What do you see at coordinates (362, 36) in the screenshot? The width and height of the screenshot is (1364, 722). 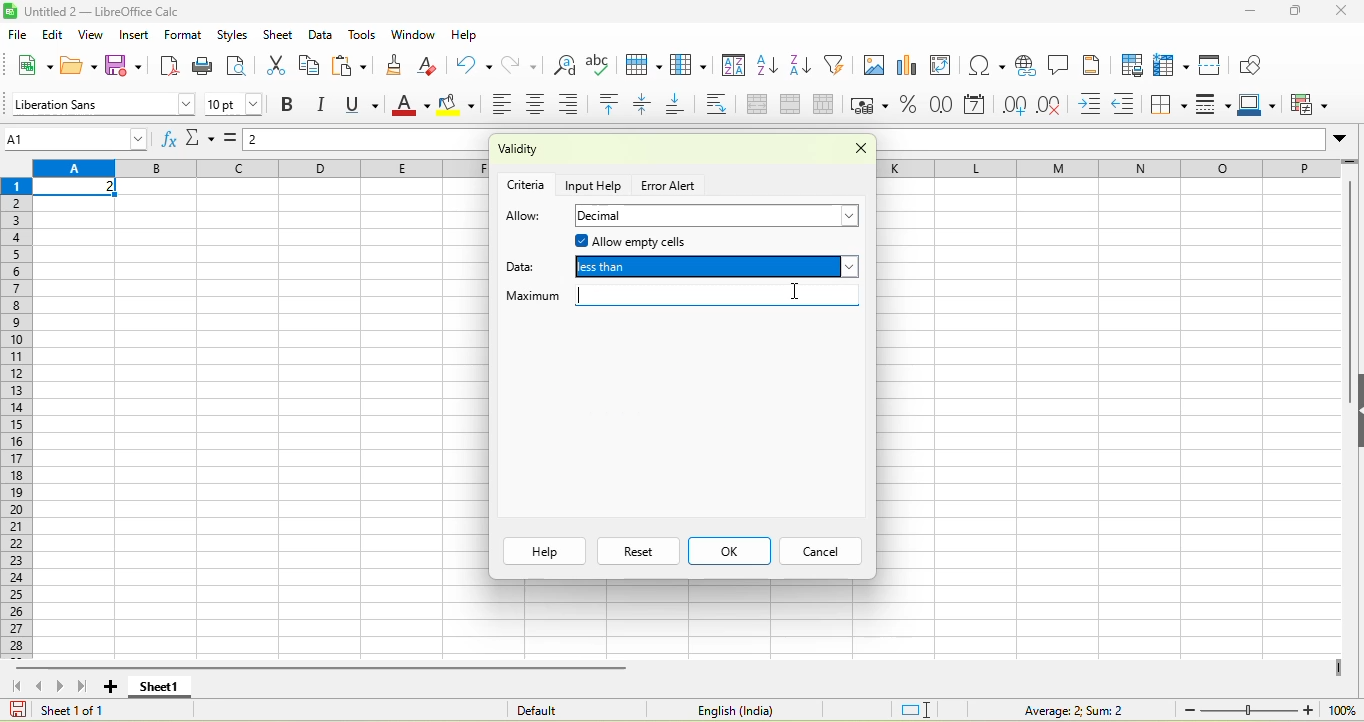 I see `tools` at bounding box center [362, 36].